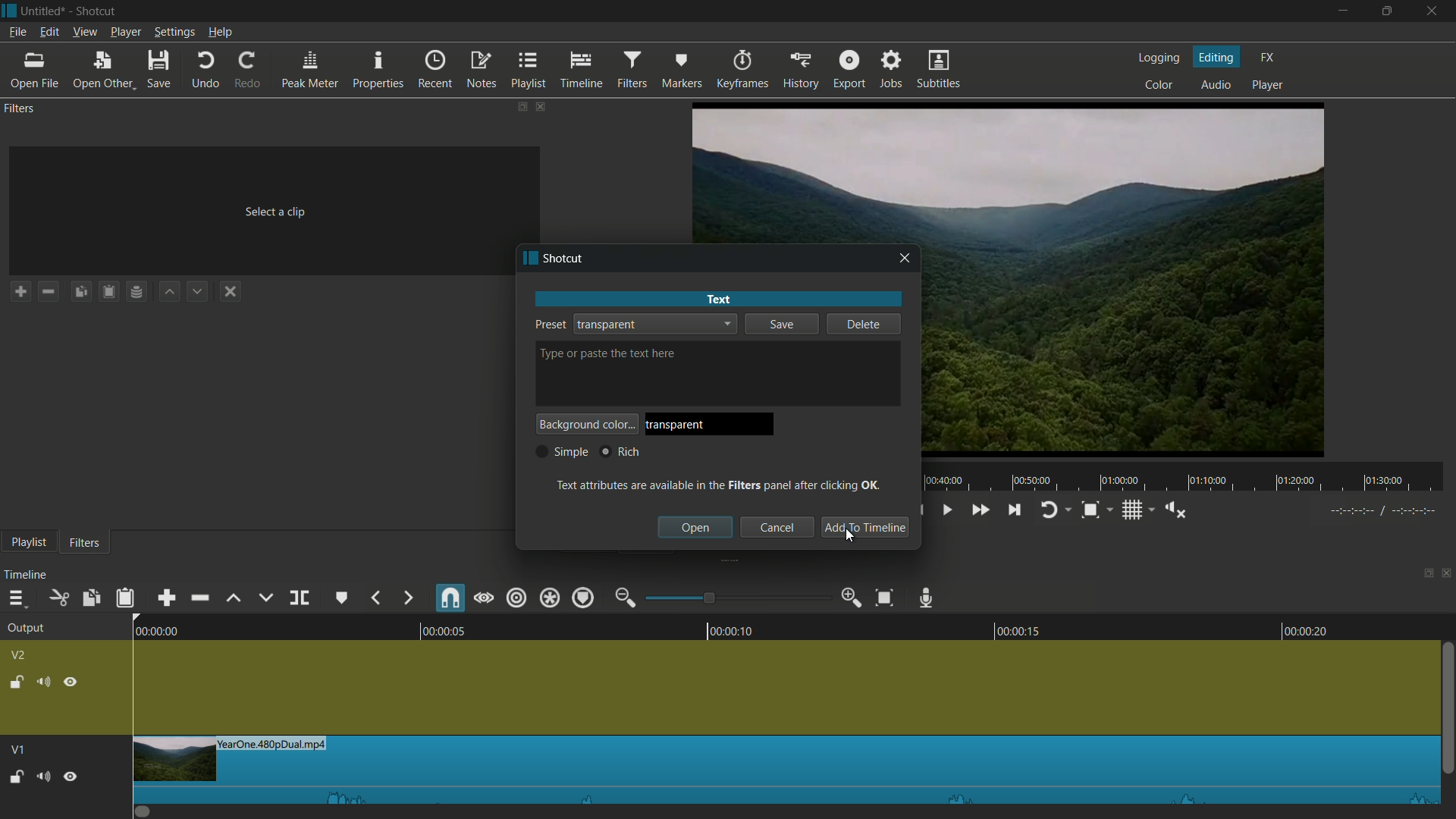 The width and height of the screenshot is (1456, 819). I want to click on deselect the filter, so click(231, 291).